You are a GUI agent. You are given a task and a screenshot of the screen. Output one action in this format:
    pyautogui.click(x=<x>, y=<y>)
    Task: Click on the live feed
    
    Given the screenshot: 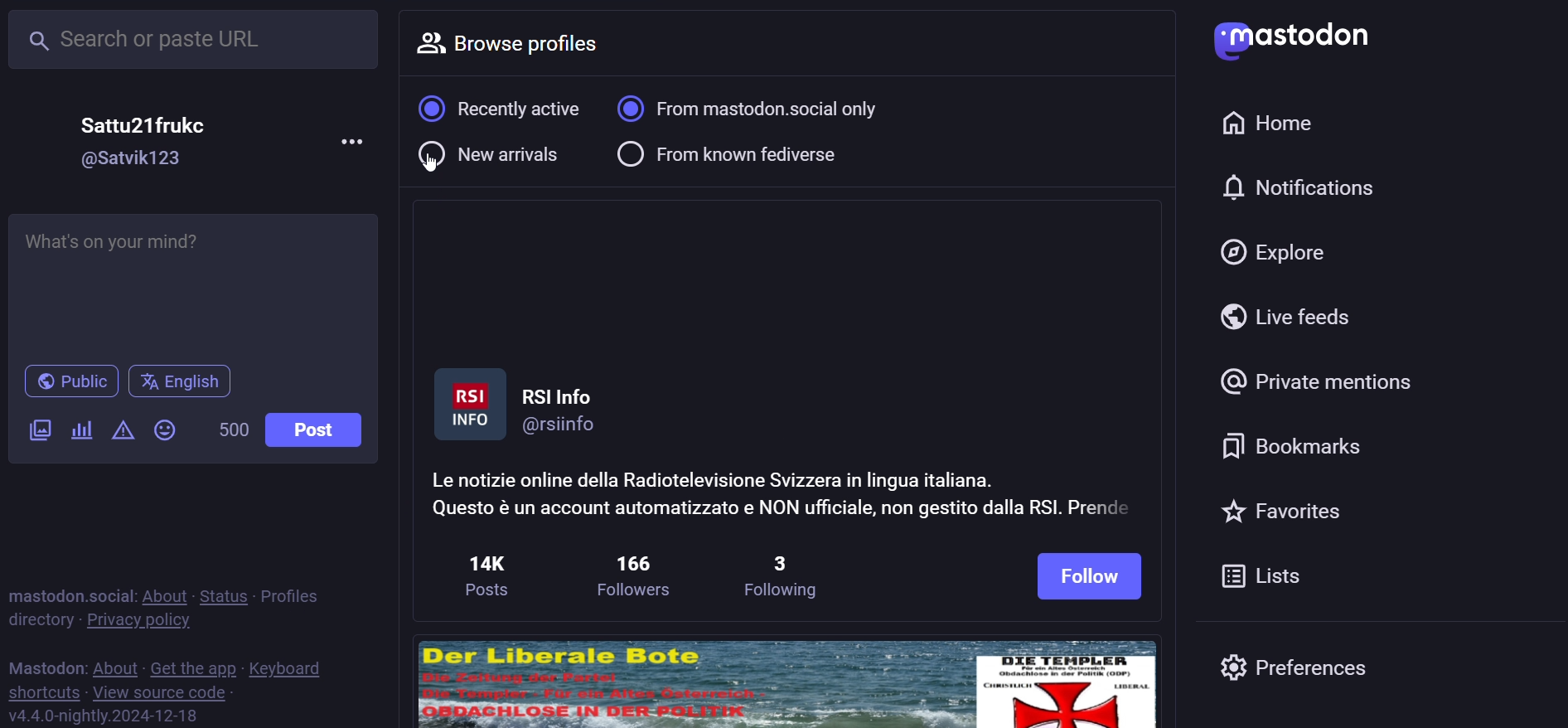 What is the action you would take?
    pyautogui.click(x=1294, y=320)
    